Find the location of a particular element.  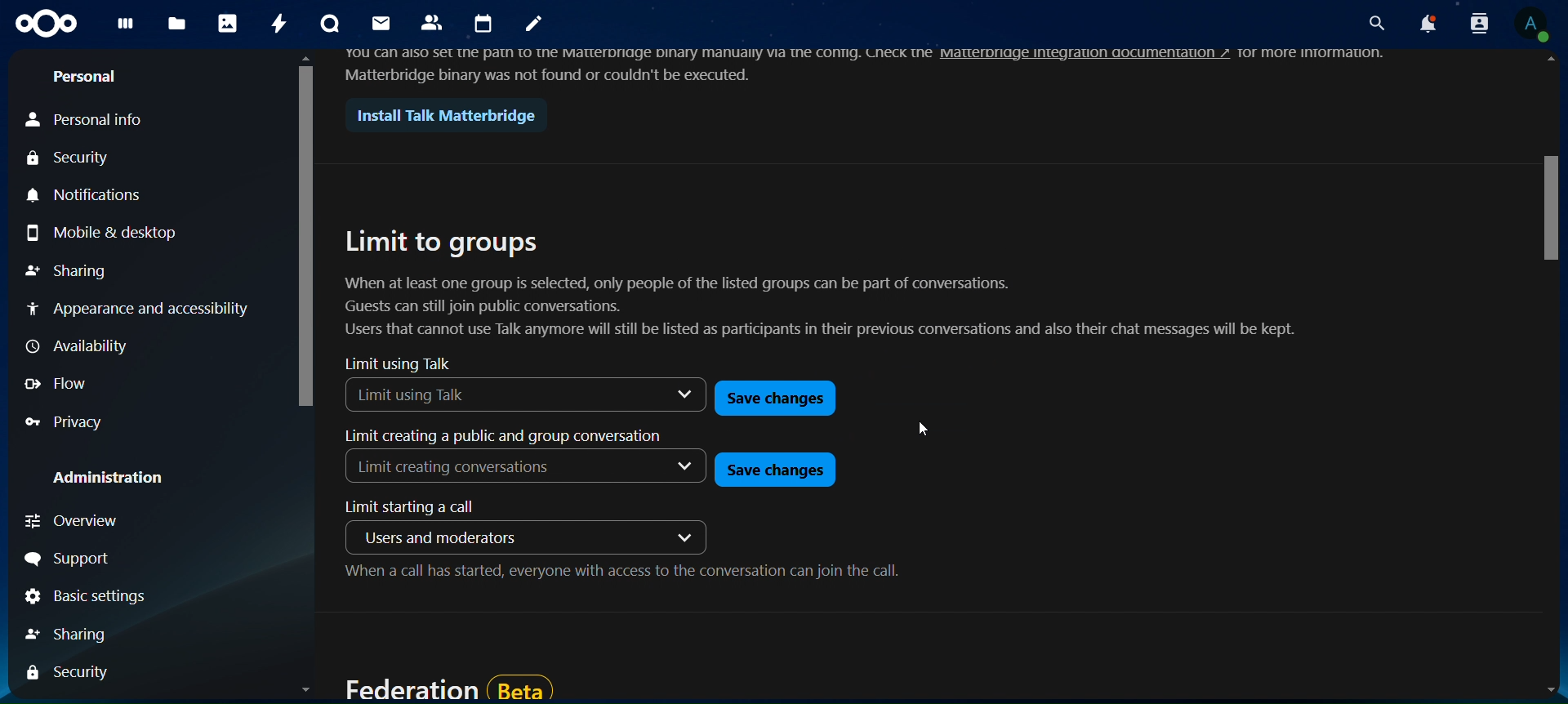

mail is located at coordinates (378, 23).